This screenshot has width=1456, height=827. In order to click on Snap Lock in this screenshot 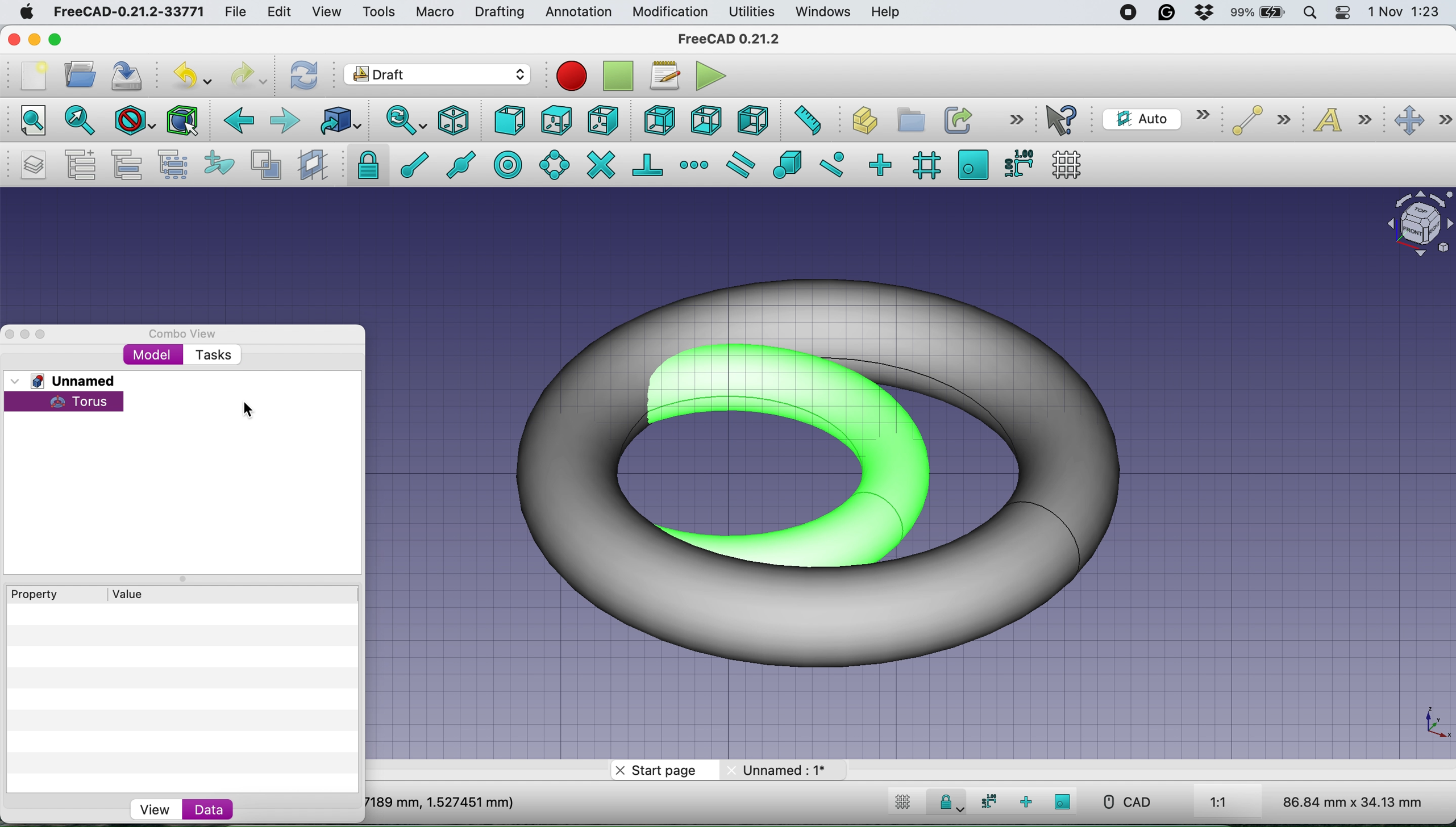, I will do `click(949, 801)`.